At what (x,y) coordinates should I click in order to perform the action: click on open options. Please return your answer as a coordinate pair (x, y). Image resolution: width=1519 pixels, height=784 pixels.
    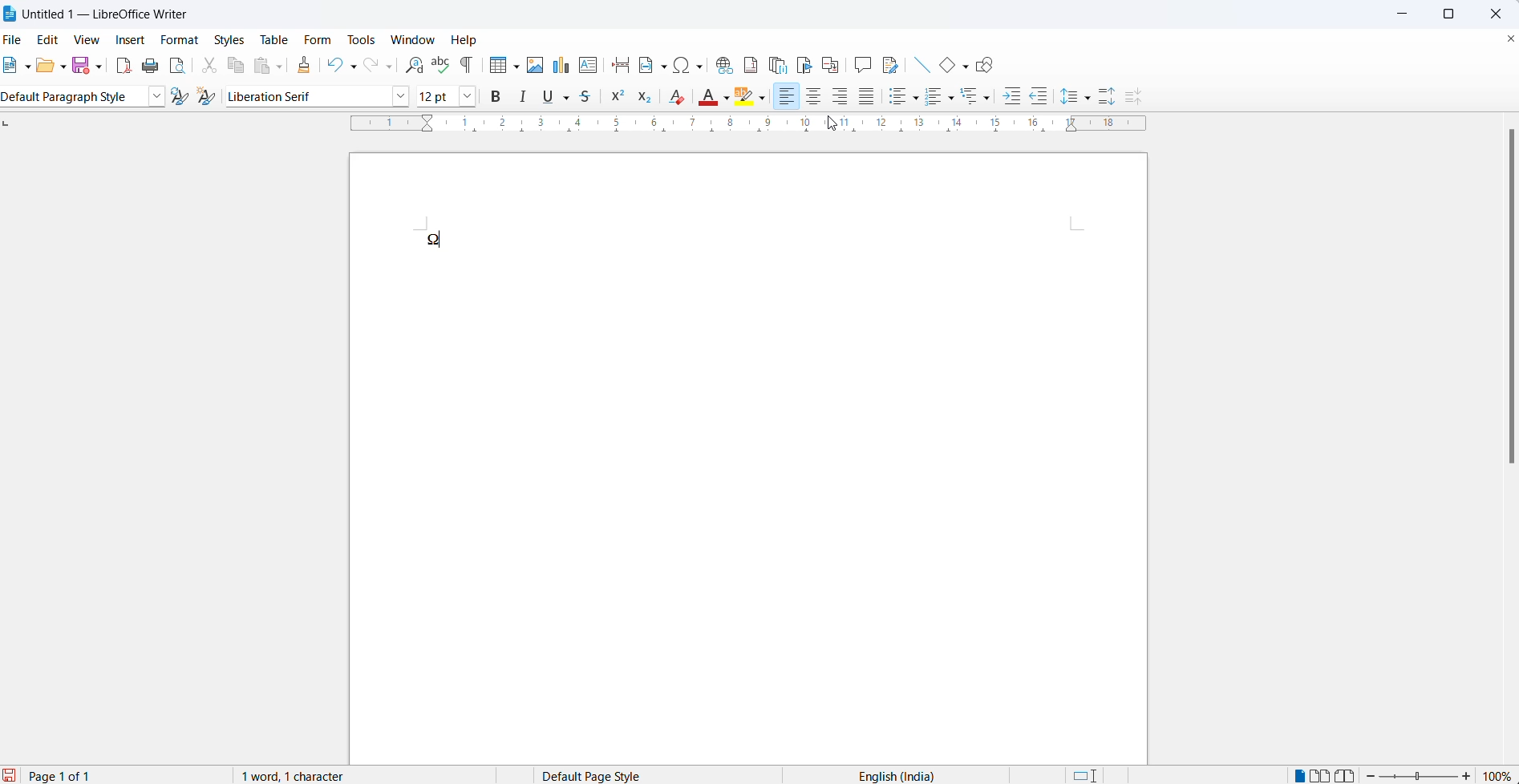
    Looking at the image, I should click on (65, 67).